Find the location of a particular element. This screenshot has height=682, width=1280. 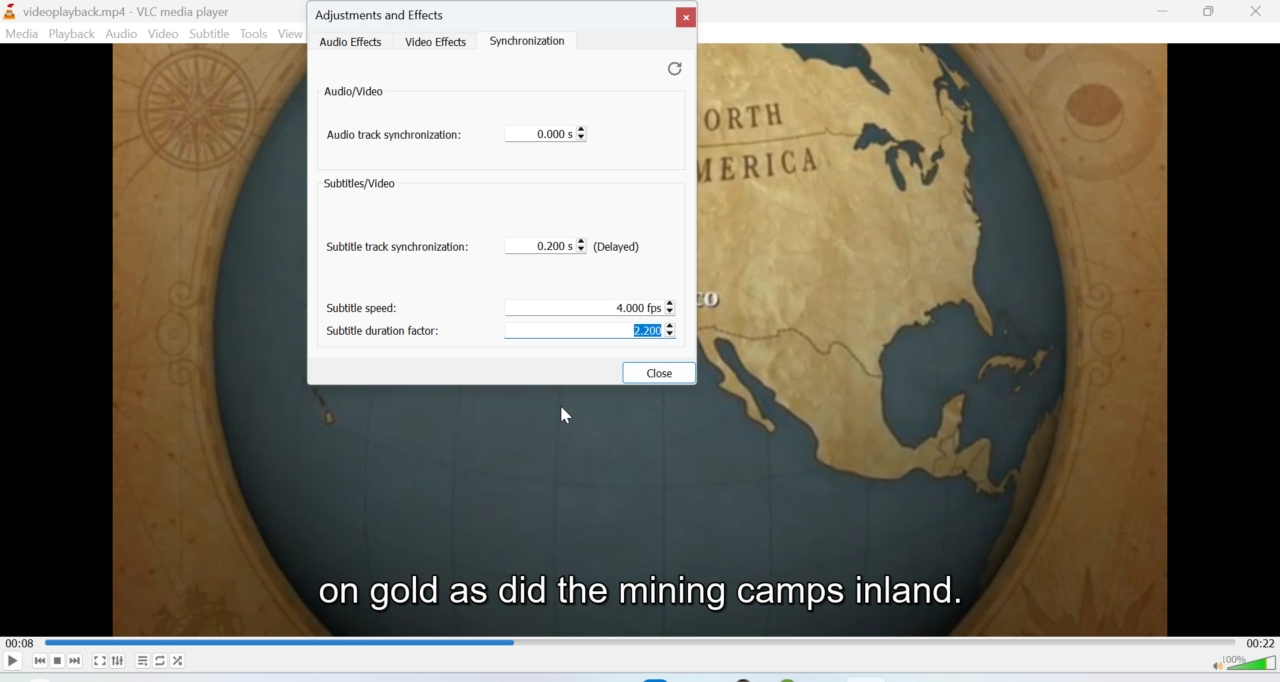

Refresh is located at coordinates (667, 68).